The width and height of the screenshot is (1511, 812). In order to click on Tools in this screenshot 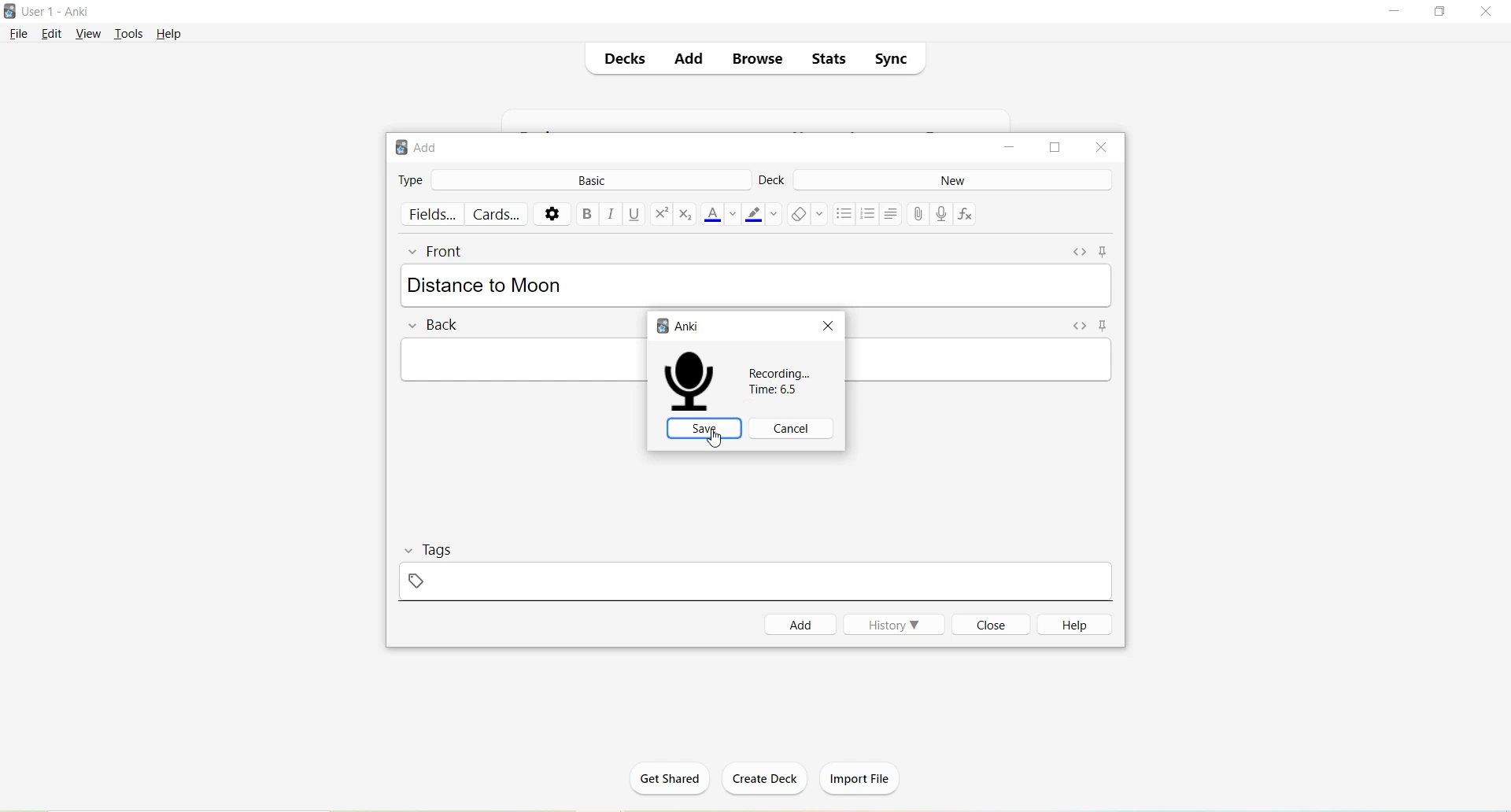, I will do `click(129, 35)`.